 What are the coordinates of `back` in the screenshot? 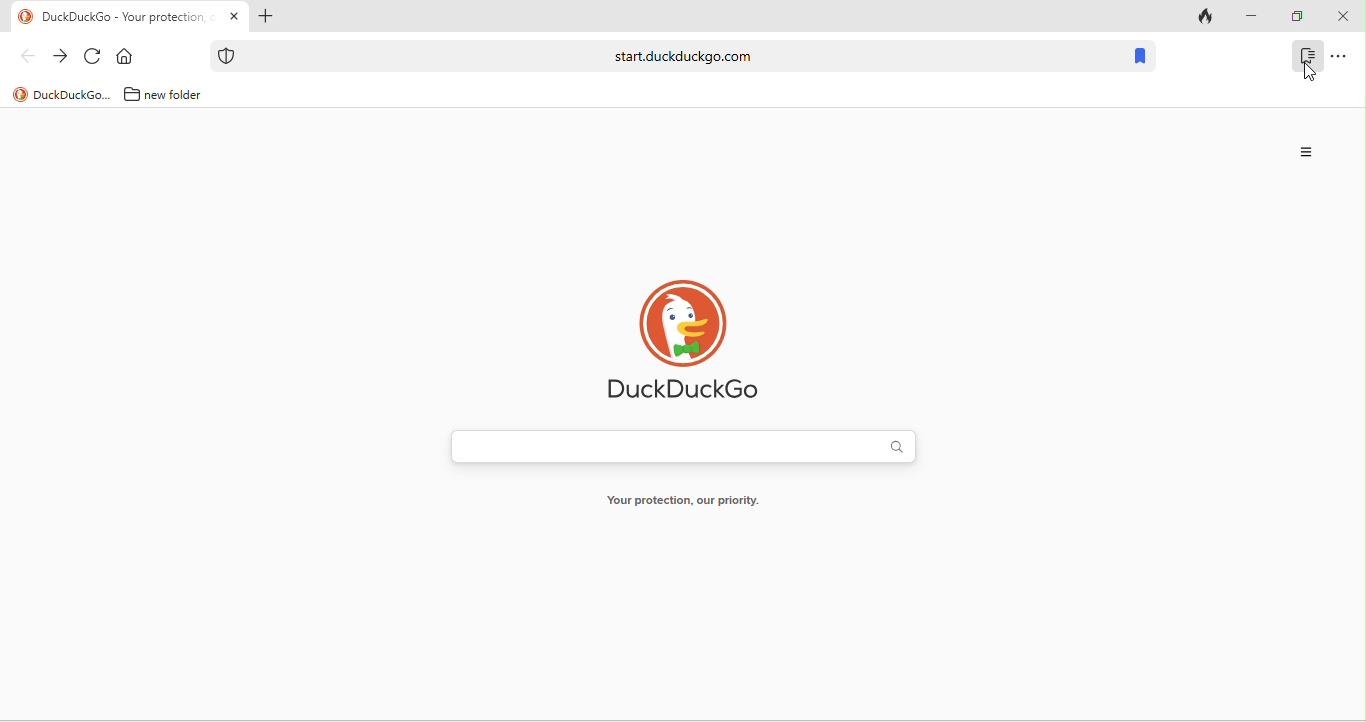 It's located at (27, 55).